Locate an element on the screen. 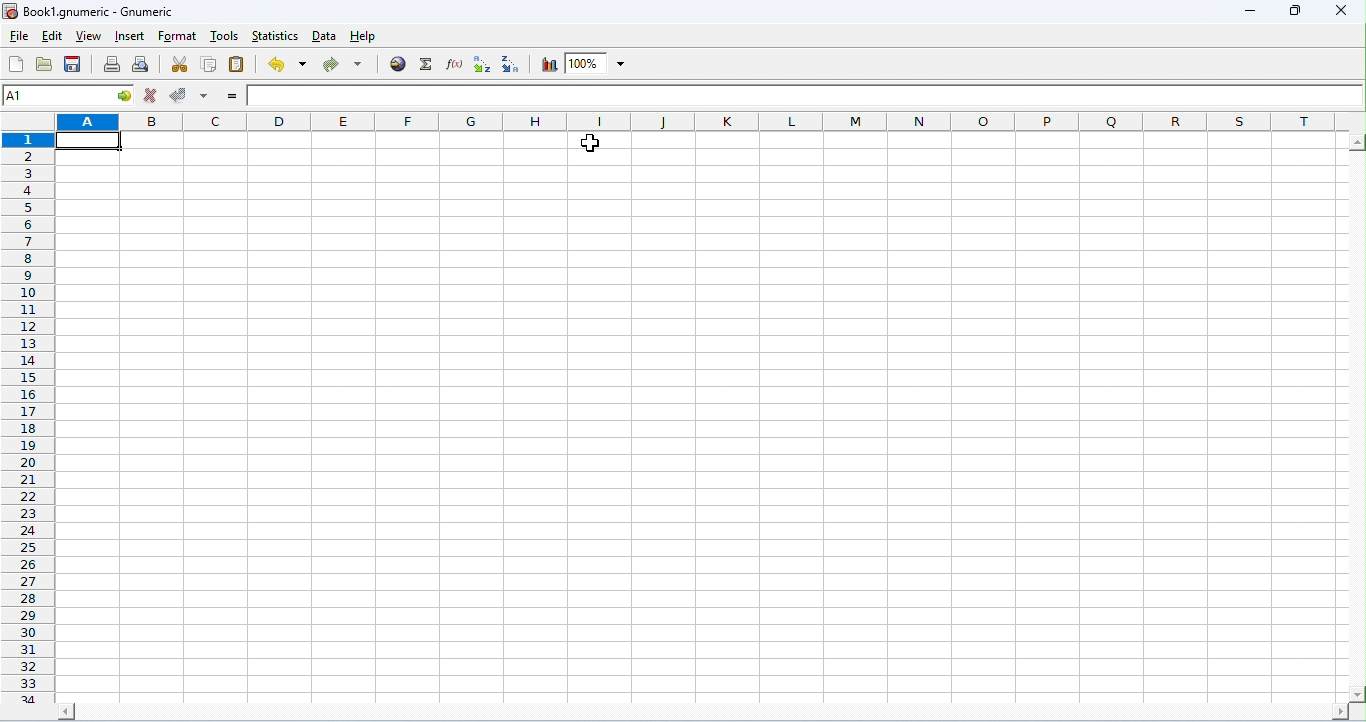  new is located at coordinates (17, 64).